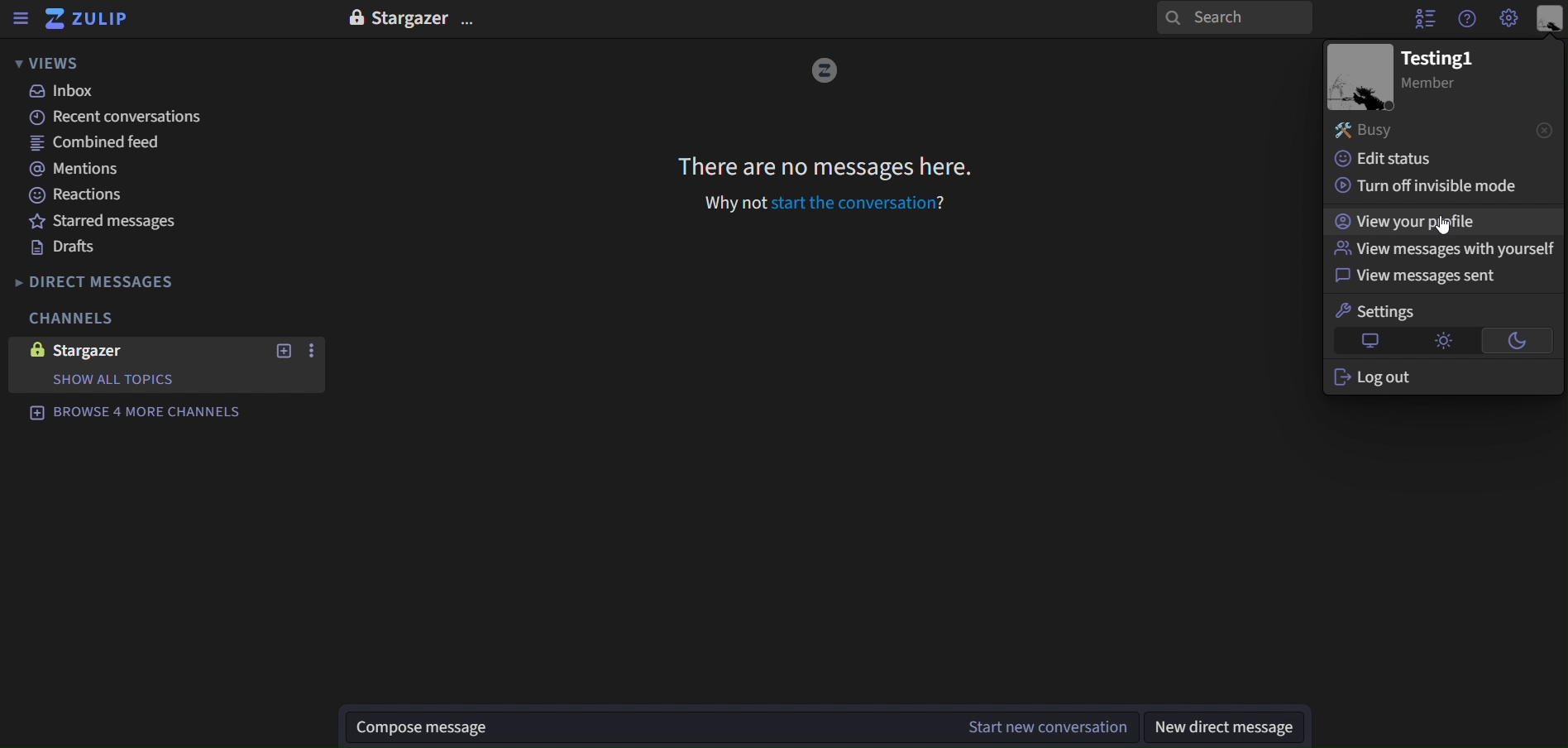 The height and width of the screenshot is (748, 1568). What do you see at coordinates (1415, 276) in the screenshot?
I see `view messages sent` at bounding box center [1415, 276].